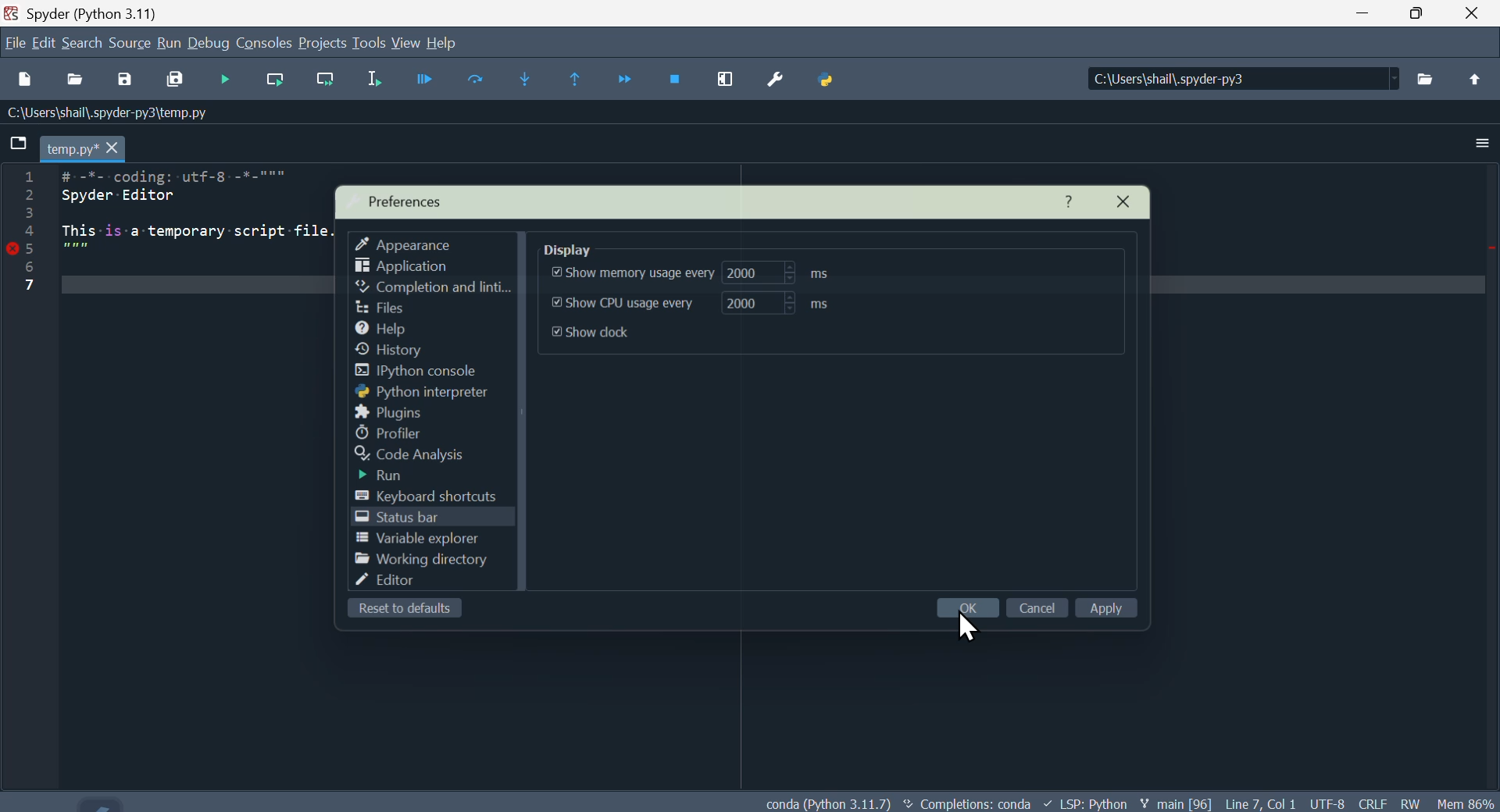 The image size is (1500, 812). What do you see at coordinates (326, 77) in the screenshot?
I see `Run current line and go to the next one` at bounding box center [326, 77].